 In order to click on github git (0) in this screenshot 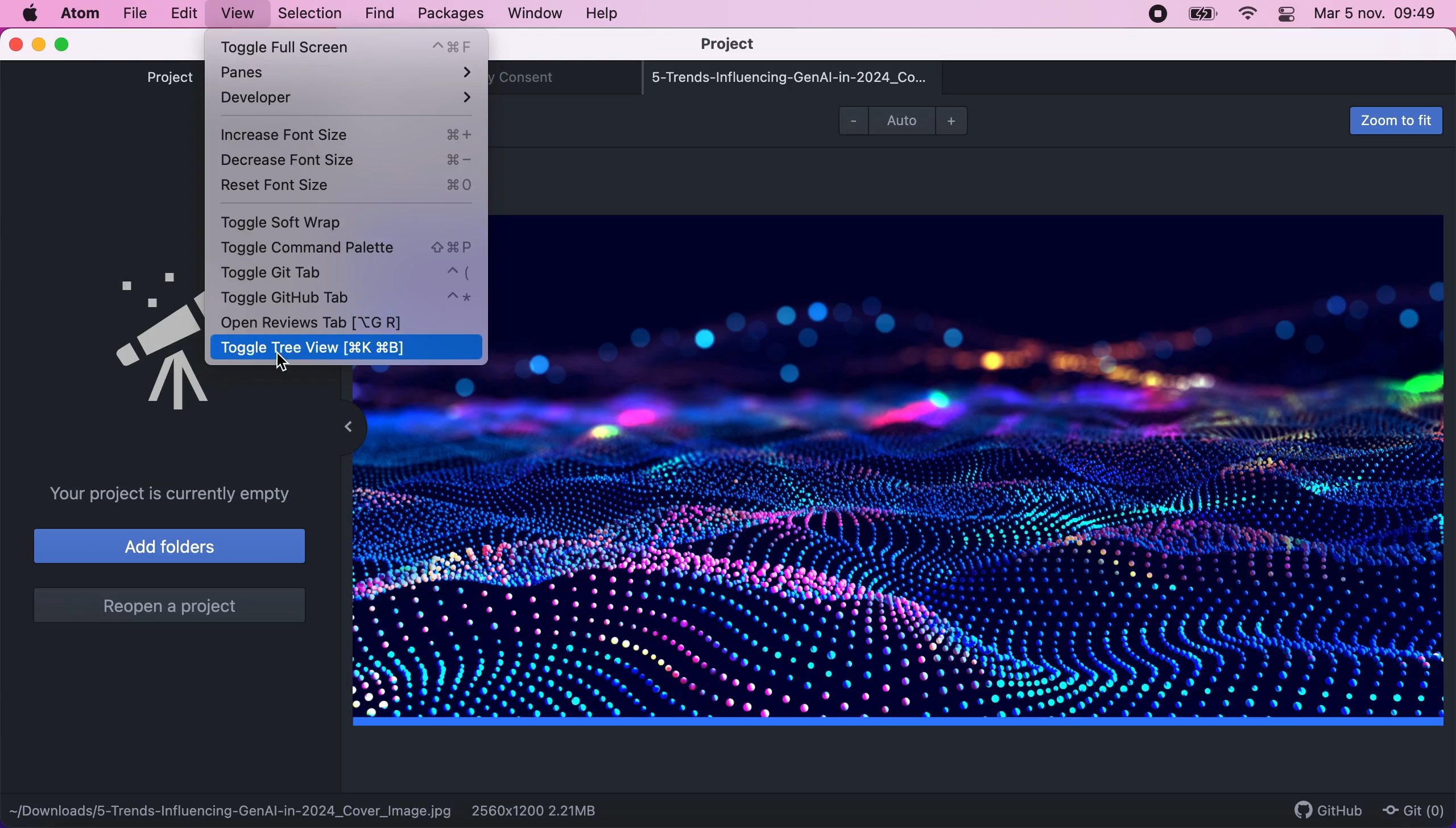, I will do `click(1362, 808)`.